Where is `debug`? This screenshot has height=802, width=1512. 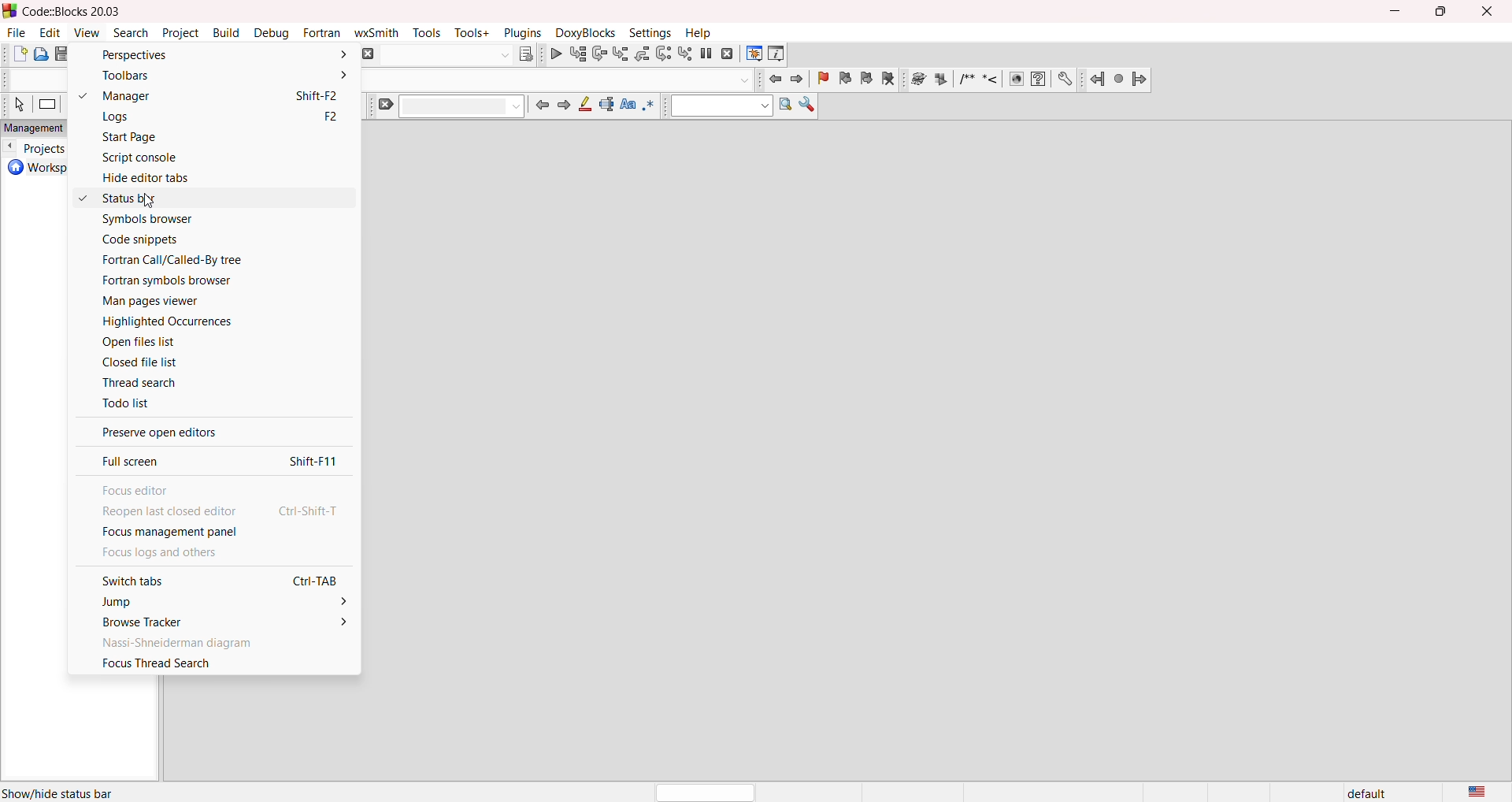
debug is located at coordinates (274, 33).